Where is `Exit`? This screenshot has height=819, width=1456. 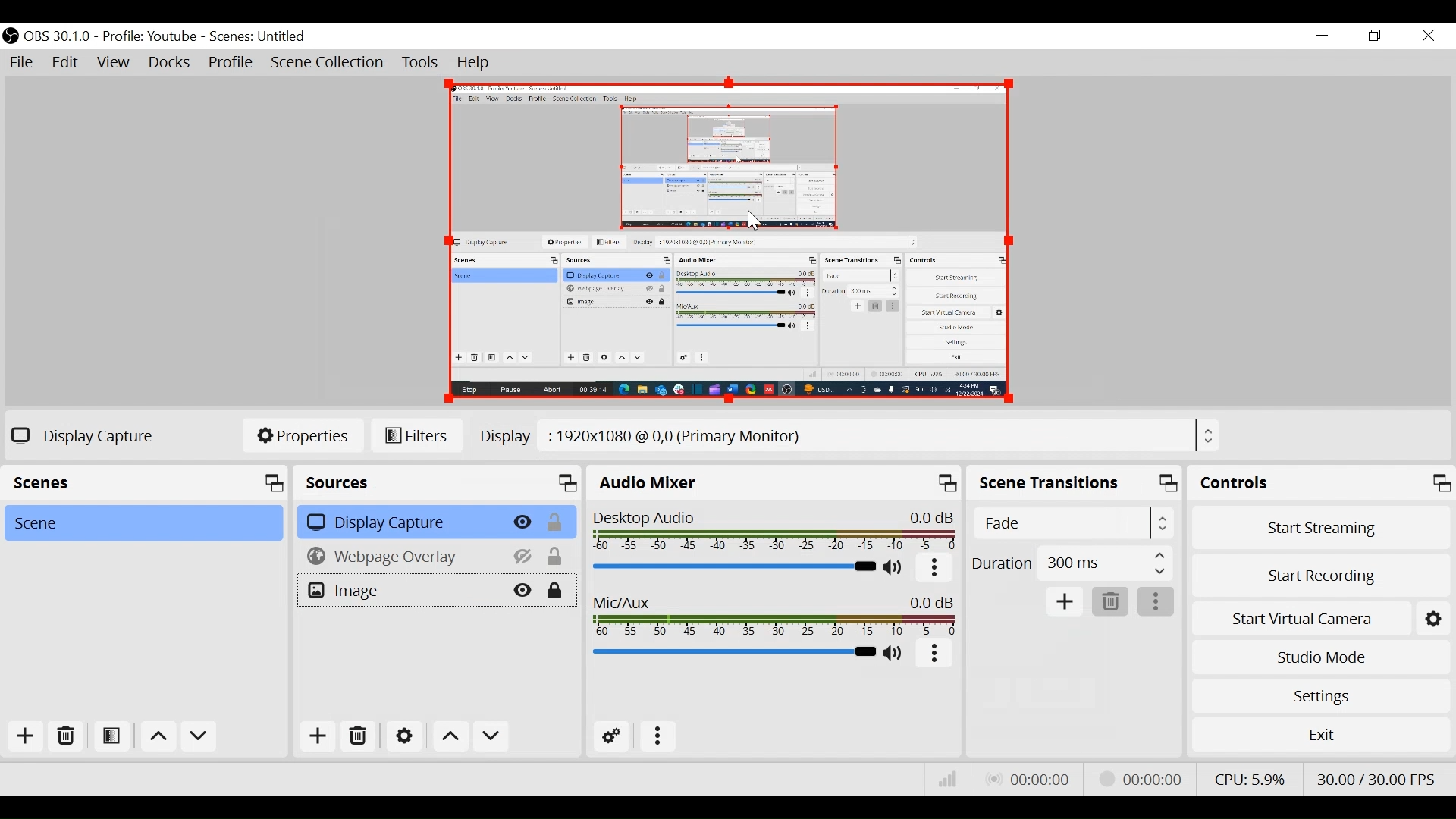 Exit is located at coordinates (1320, 734).